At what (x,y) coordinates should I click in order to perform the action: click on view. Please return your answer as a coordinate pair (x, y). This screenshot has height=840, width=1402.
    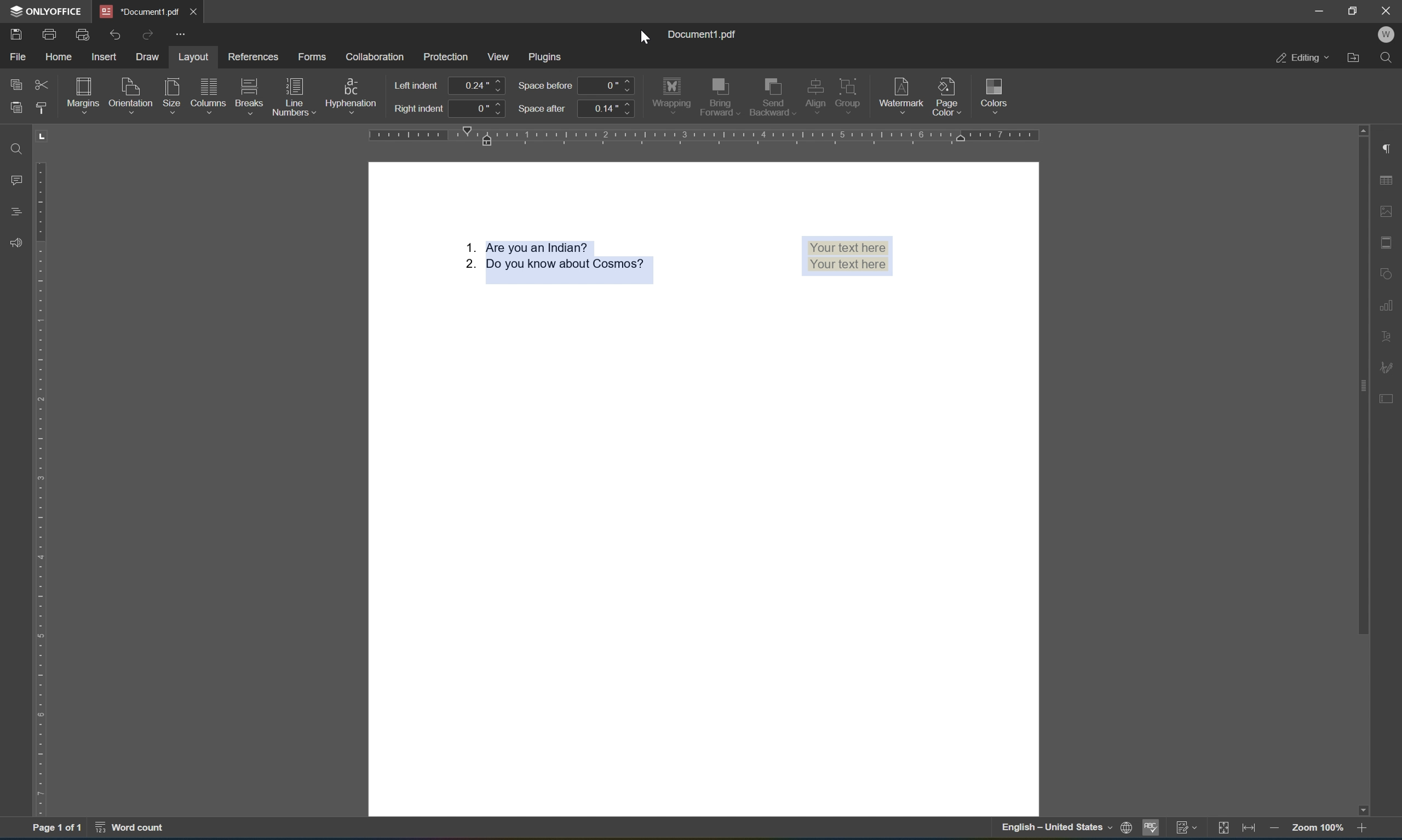
    Looking at the image, I should click on (500, 58).